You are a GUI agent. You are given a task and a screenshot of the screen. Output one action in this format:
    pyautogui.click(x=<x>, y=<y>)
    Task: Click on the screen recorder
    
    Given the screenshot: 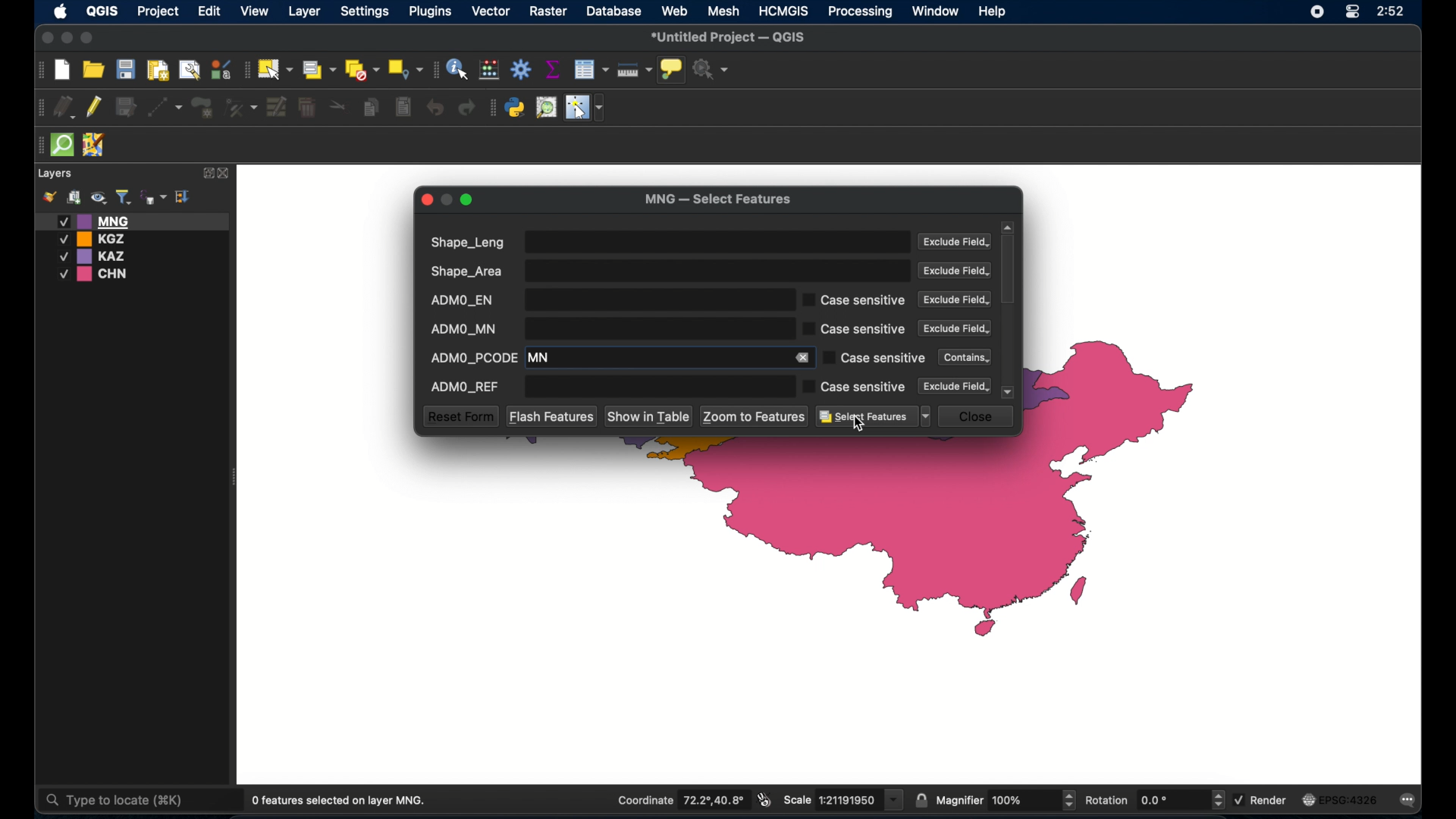 What is the action you would take?
    pyautogui.click(x=1316, y=11)
    